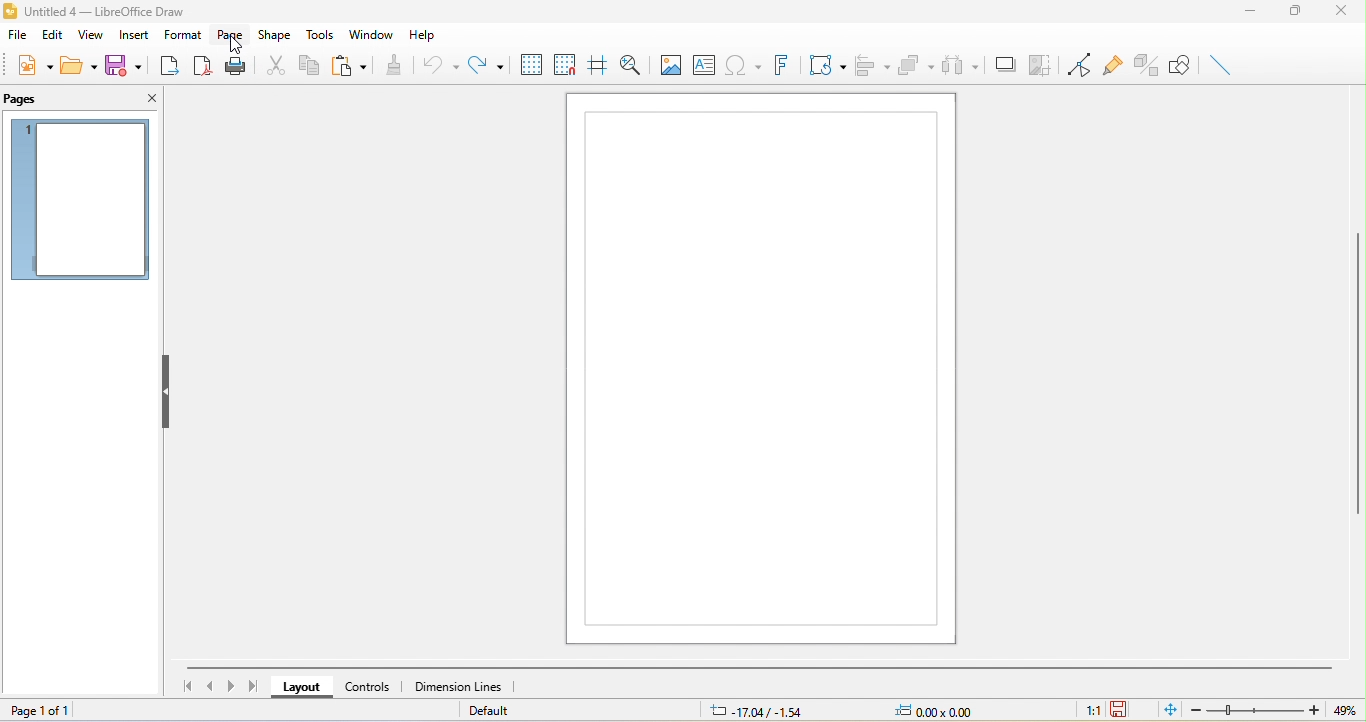 This screenshot has width=1366, height=722. I want to click on insert line, so click(1221, 68).